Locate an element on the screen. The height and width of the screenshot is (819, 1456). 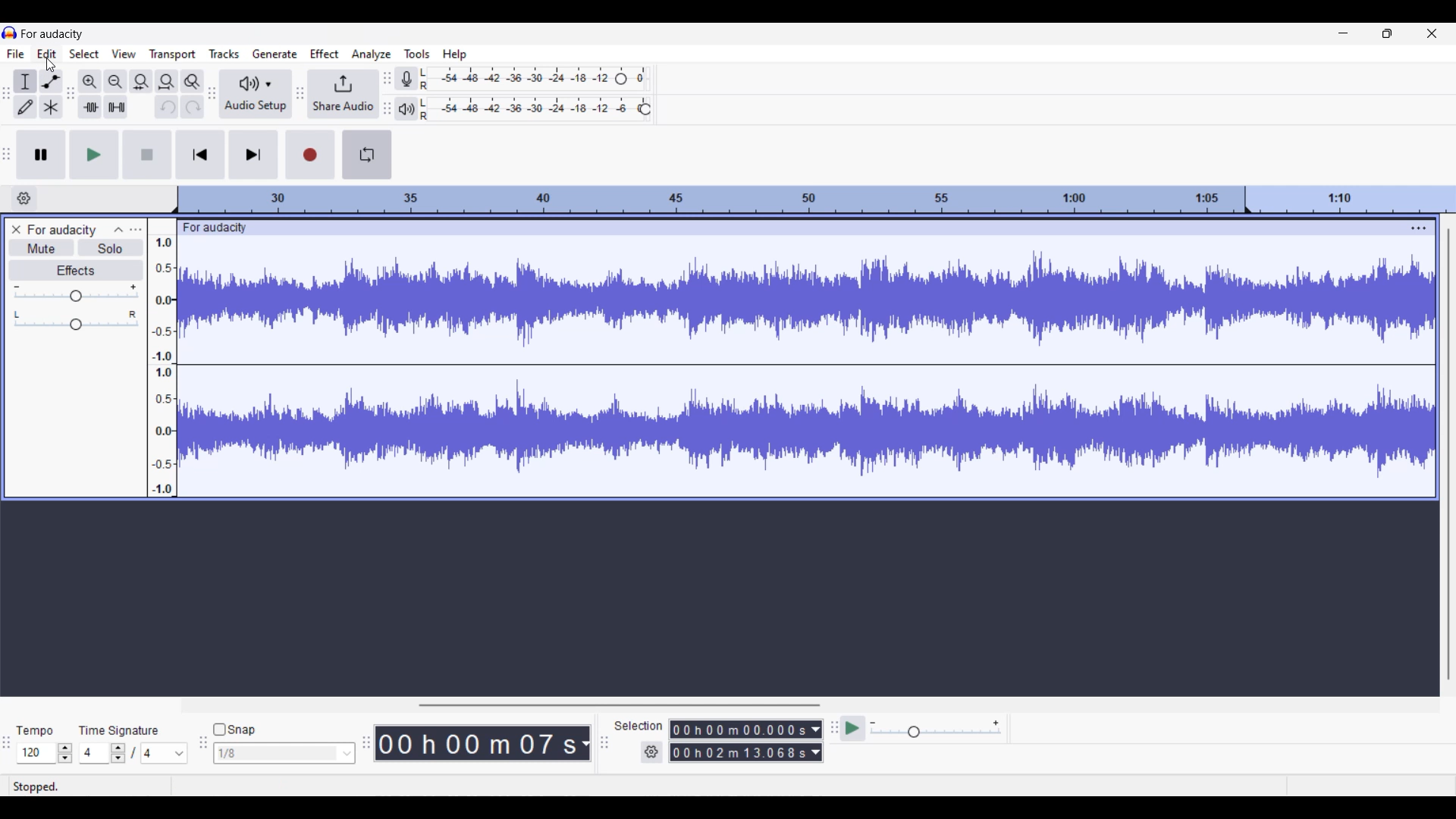
Audio setup is located at coordinates (256, 93).